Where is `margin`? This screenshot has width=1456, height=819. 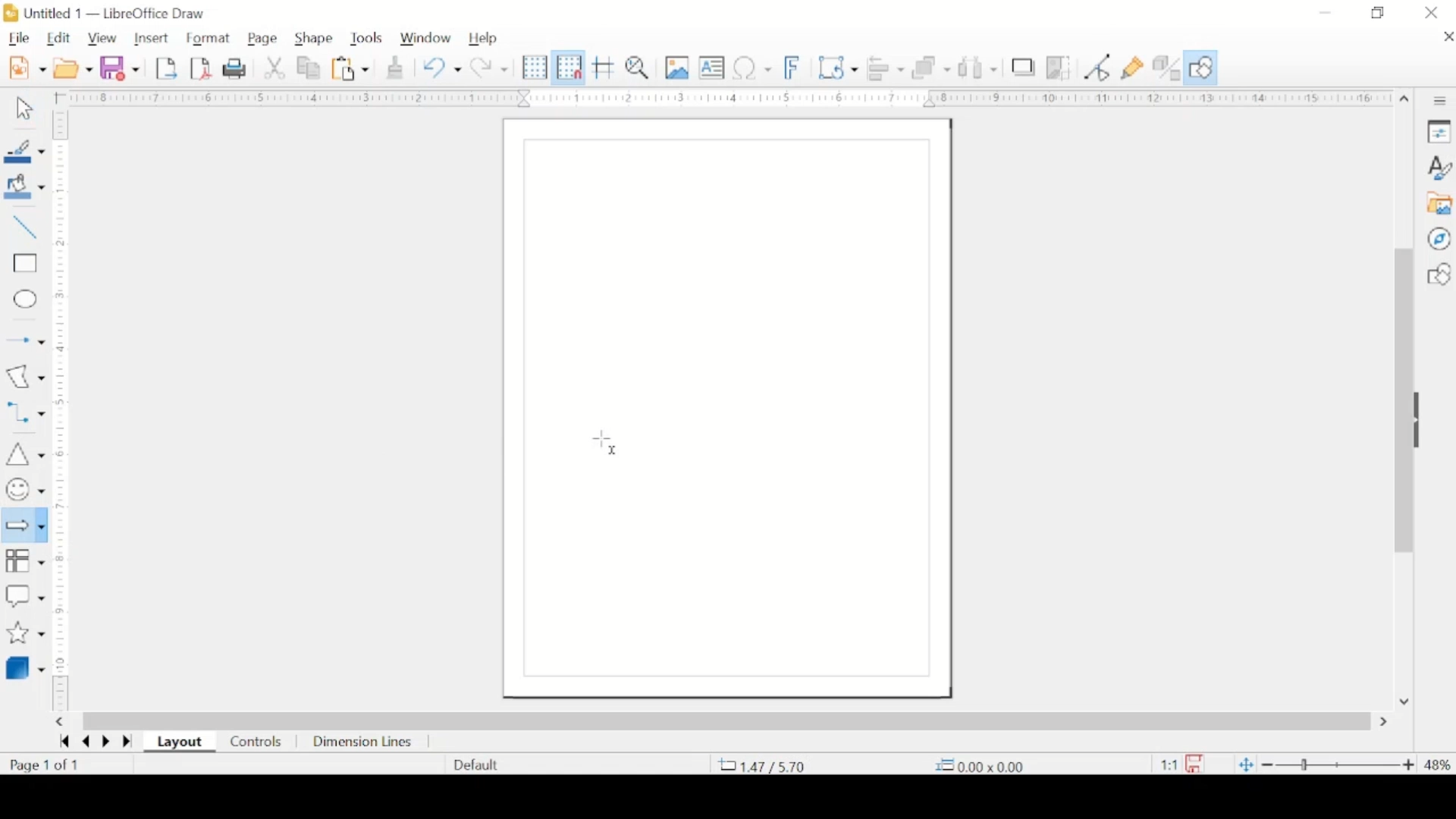
margin is located at coordinates (720, 98).